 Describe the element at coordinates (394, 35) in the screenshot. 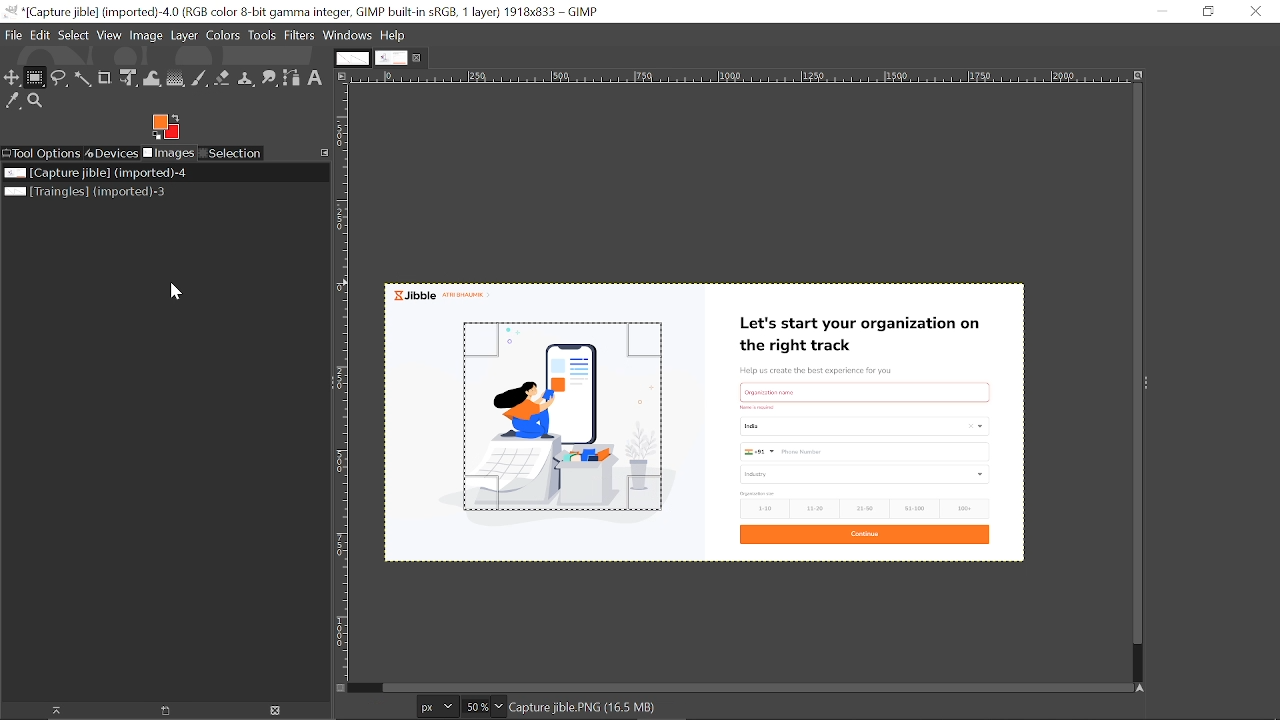

I see `Help` at that location.